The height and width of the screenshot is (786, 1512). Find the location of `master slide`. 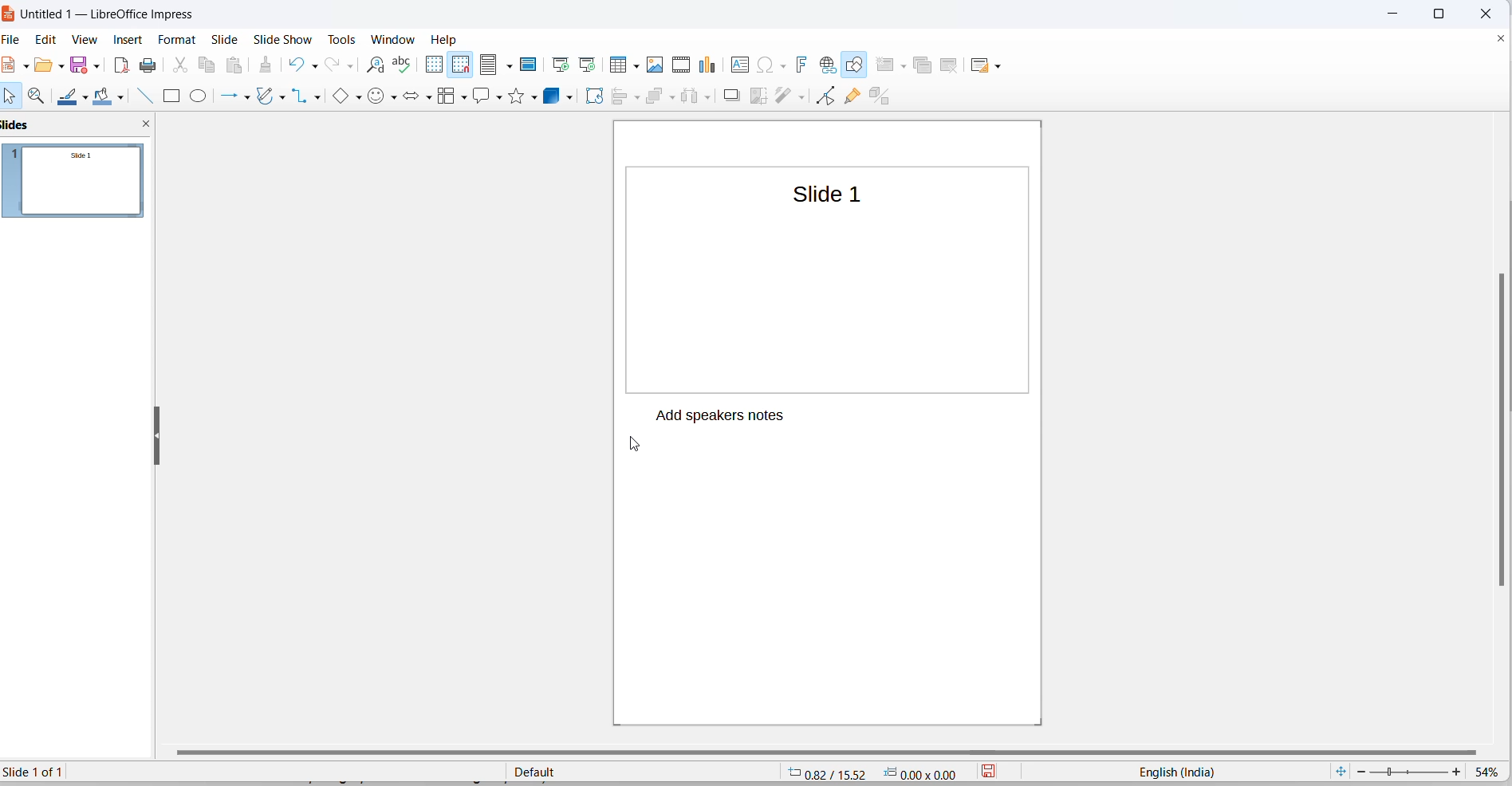

master slide is located at coordinates (532, 64).